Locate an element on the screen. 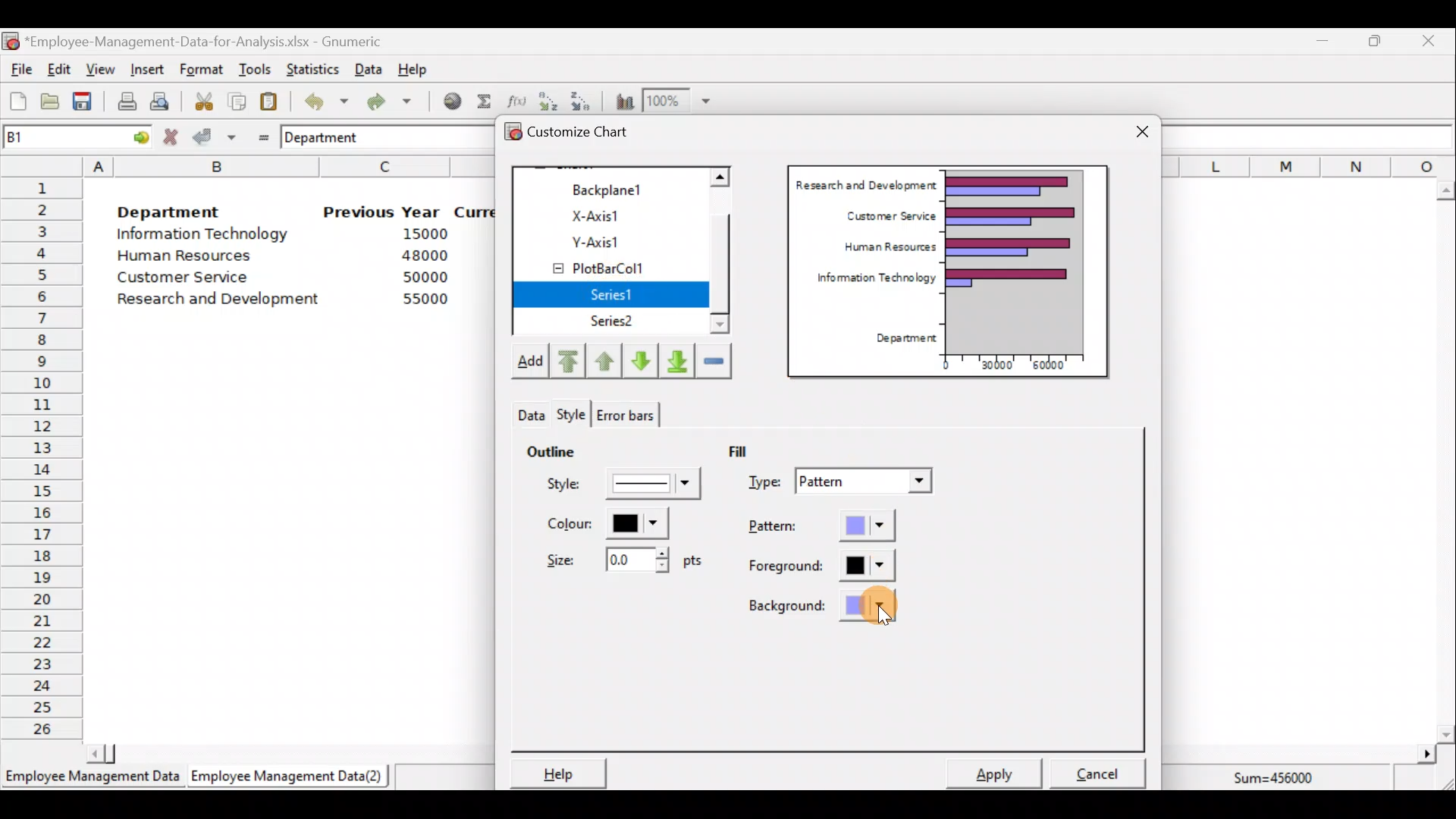  Move upward is located at coordinates (566, 362).